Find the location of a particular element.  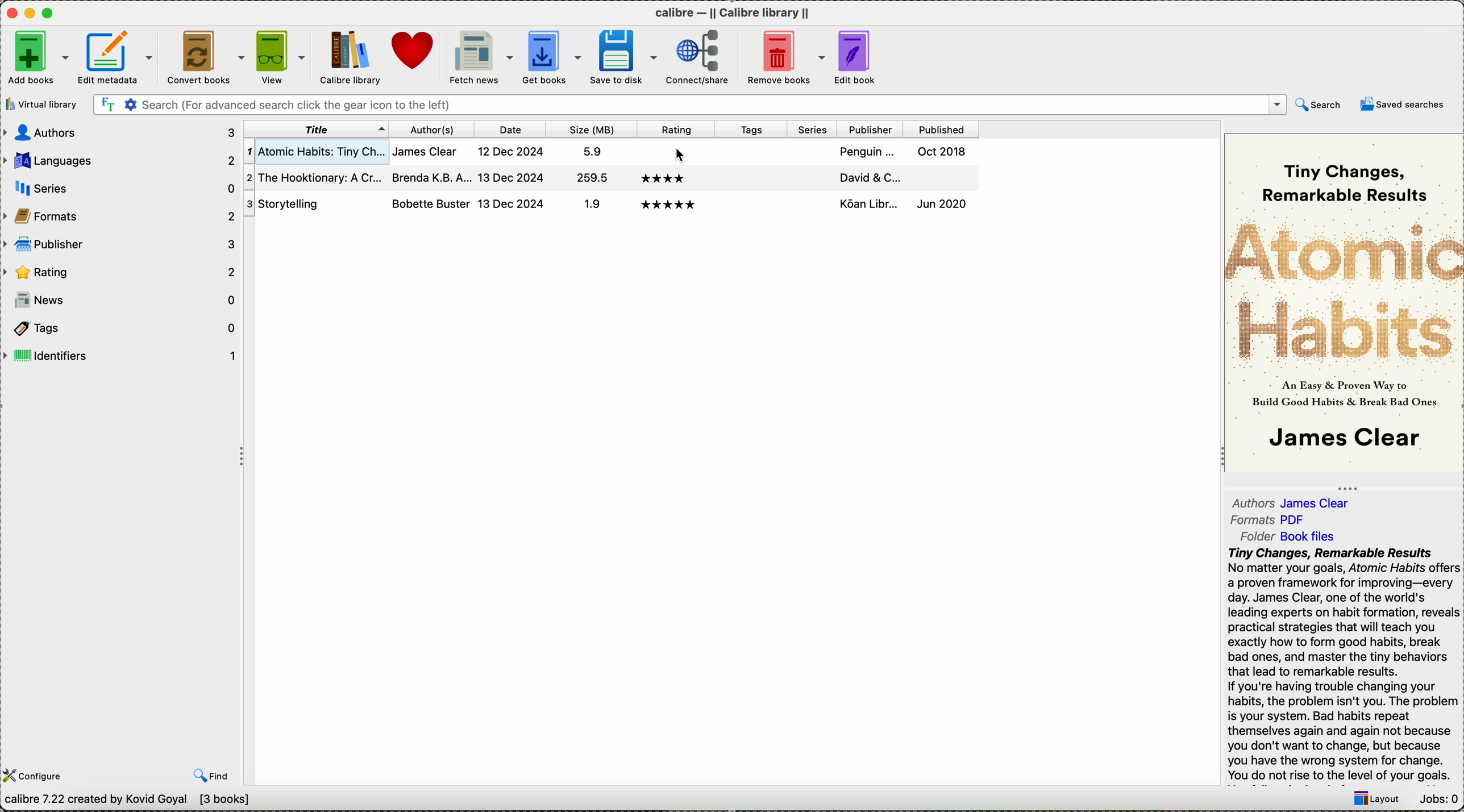

publisher is located at coordinates (870, 128).